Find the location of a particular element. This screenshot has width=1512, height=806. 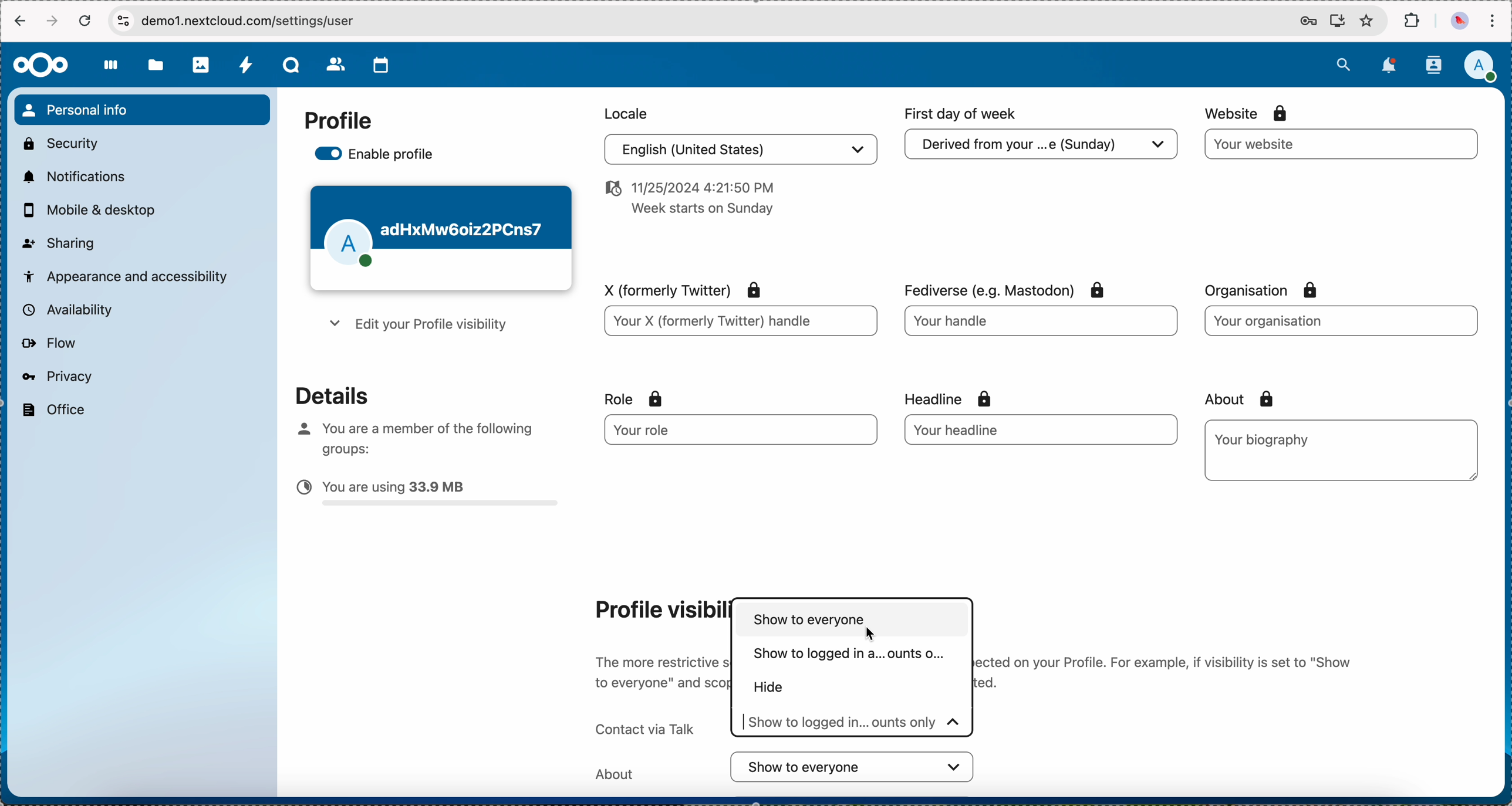

mobile and desktop is located at coordinates (95, 211).